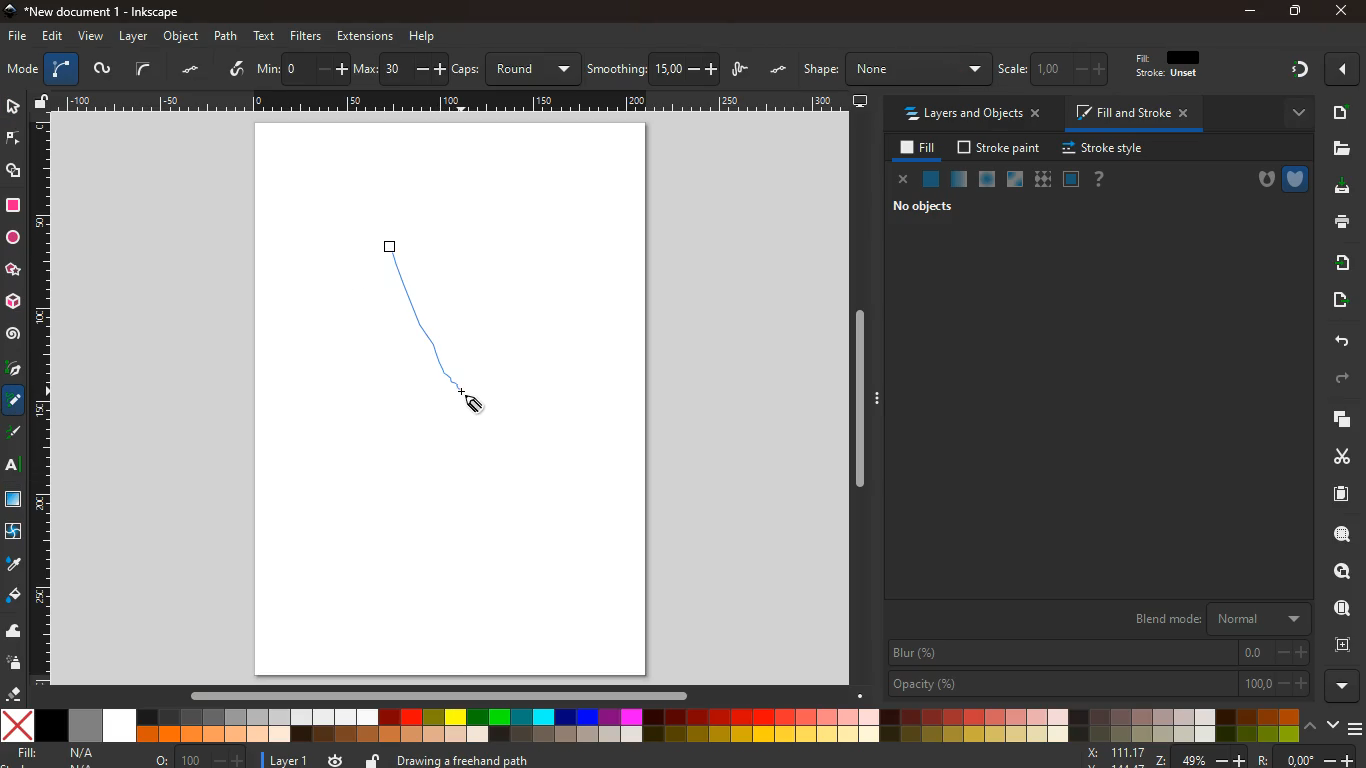 Image resolution: width=1366 pixels, height=768 pixels. What do you see at coordinates (1294, 114) in the screenshot?
I see `more` at bounding box center [1294, 114].